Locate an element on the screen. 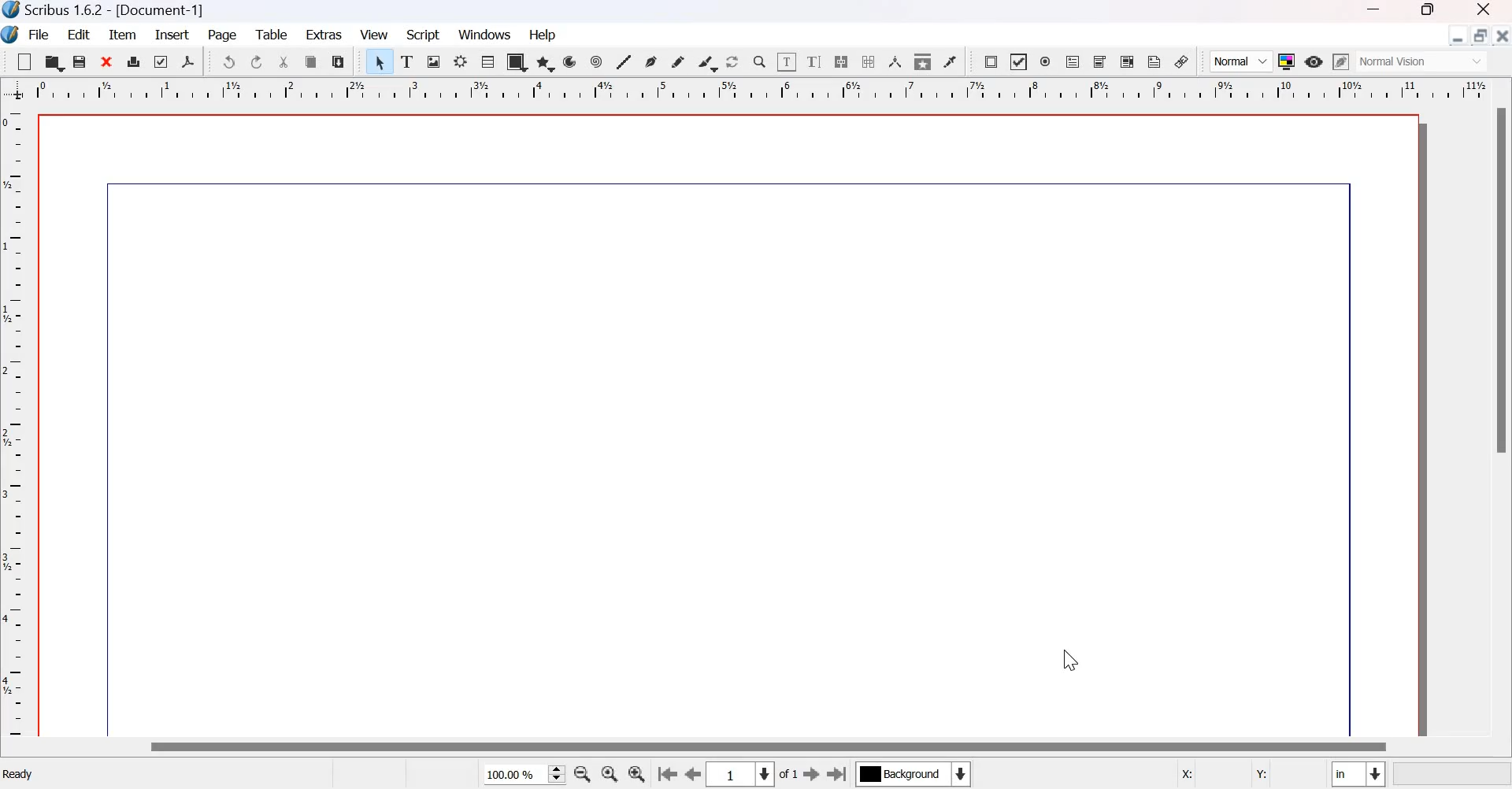  PDF list box is located at coordinates (1127, 61).